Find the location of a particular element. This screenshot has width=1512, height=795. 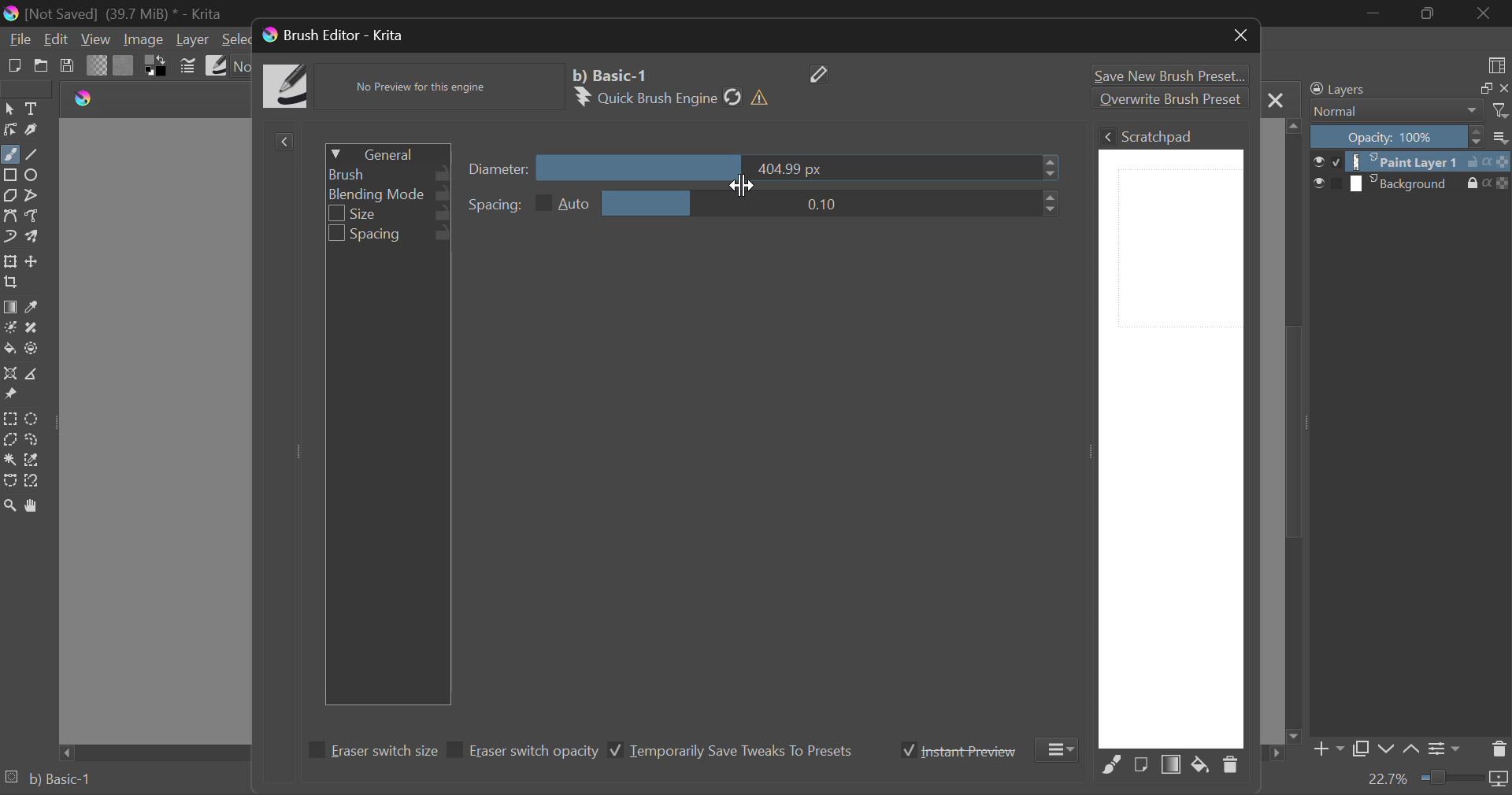

Reference Images is located at coordinates (10, 396).